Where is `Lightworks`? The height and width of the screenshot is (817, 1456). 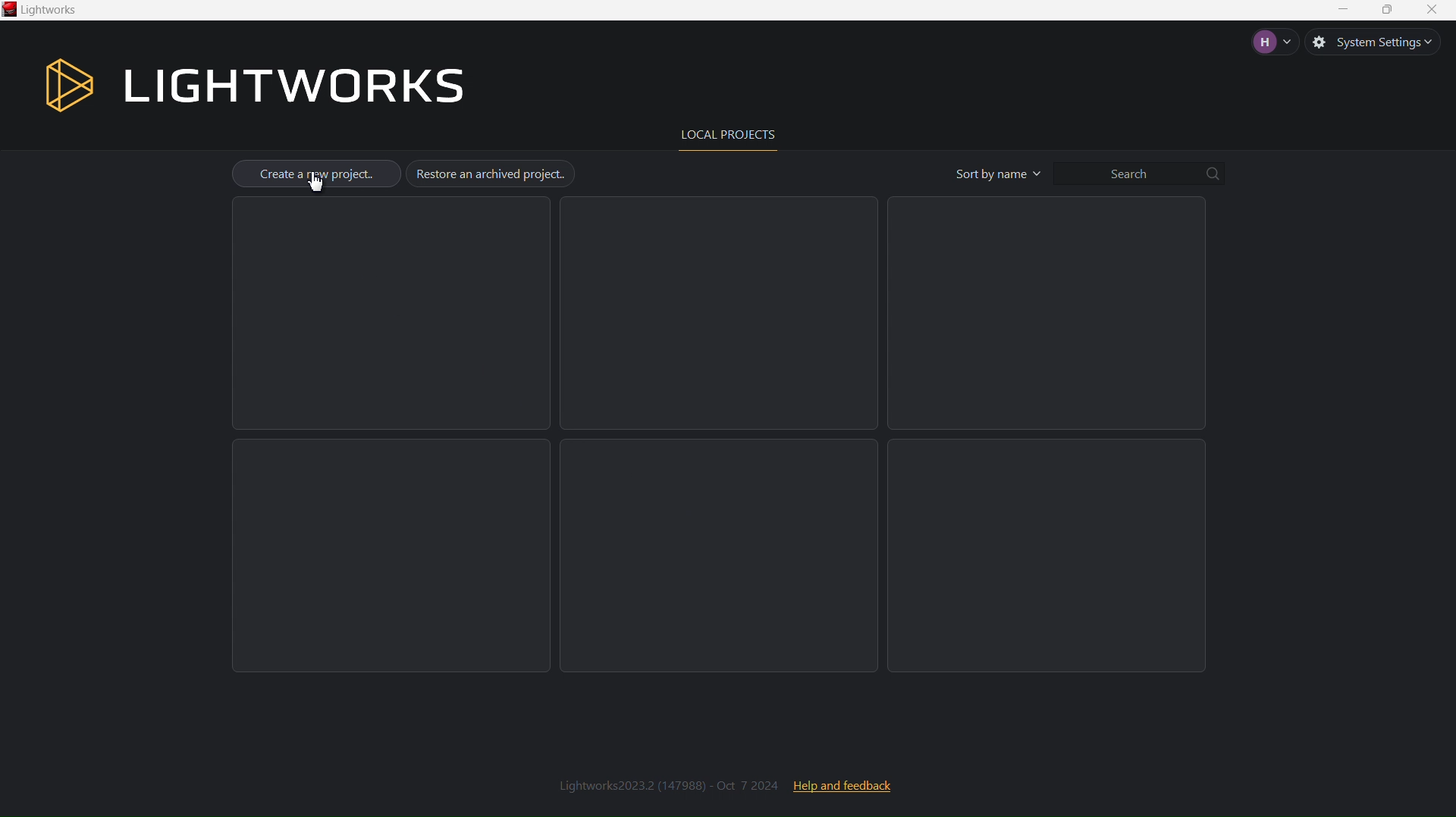 Lightworks is located at coordinates (293, 86).